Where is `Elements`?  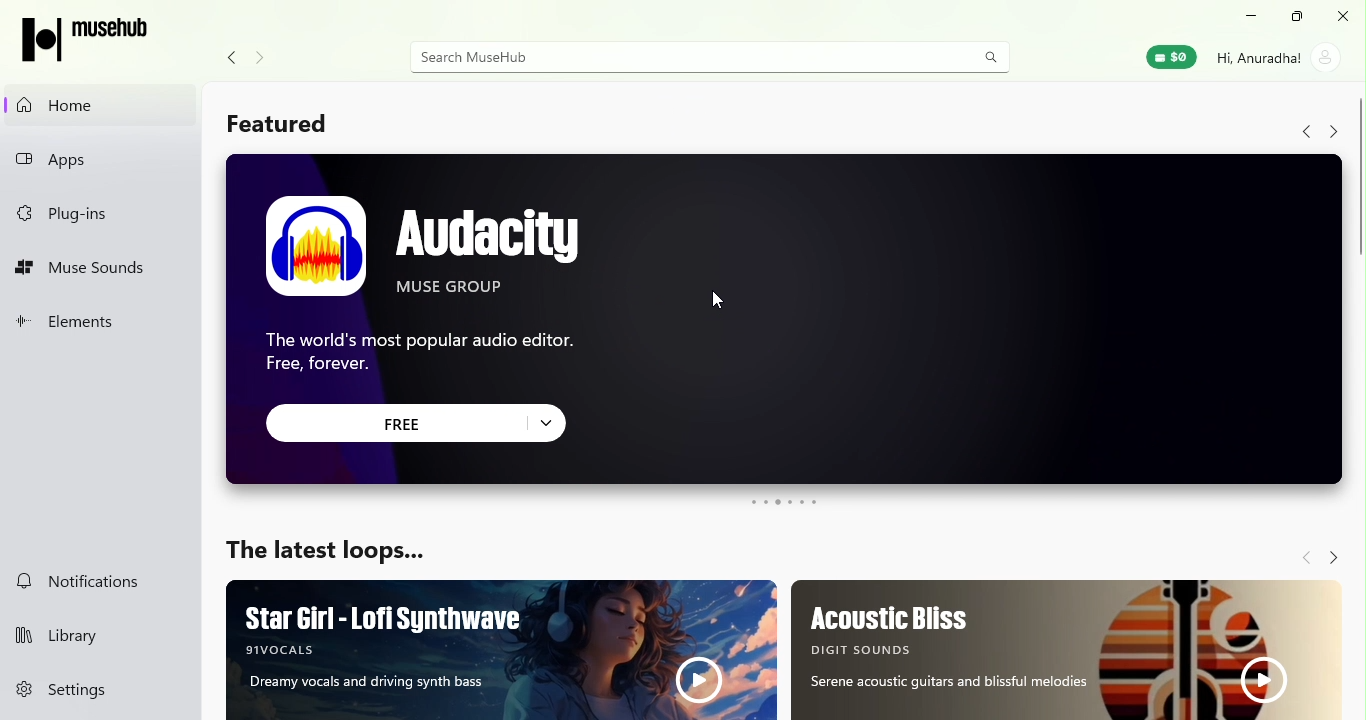 Elements is located at coordinates (101, 324).